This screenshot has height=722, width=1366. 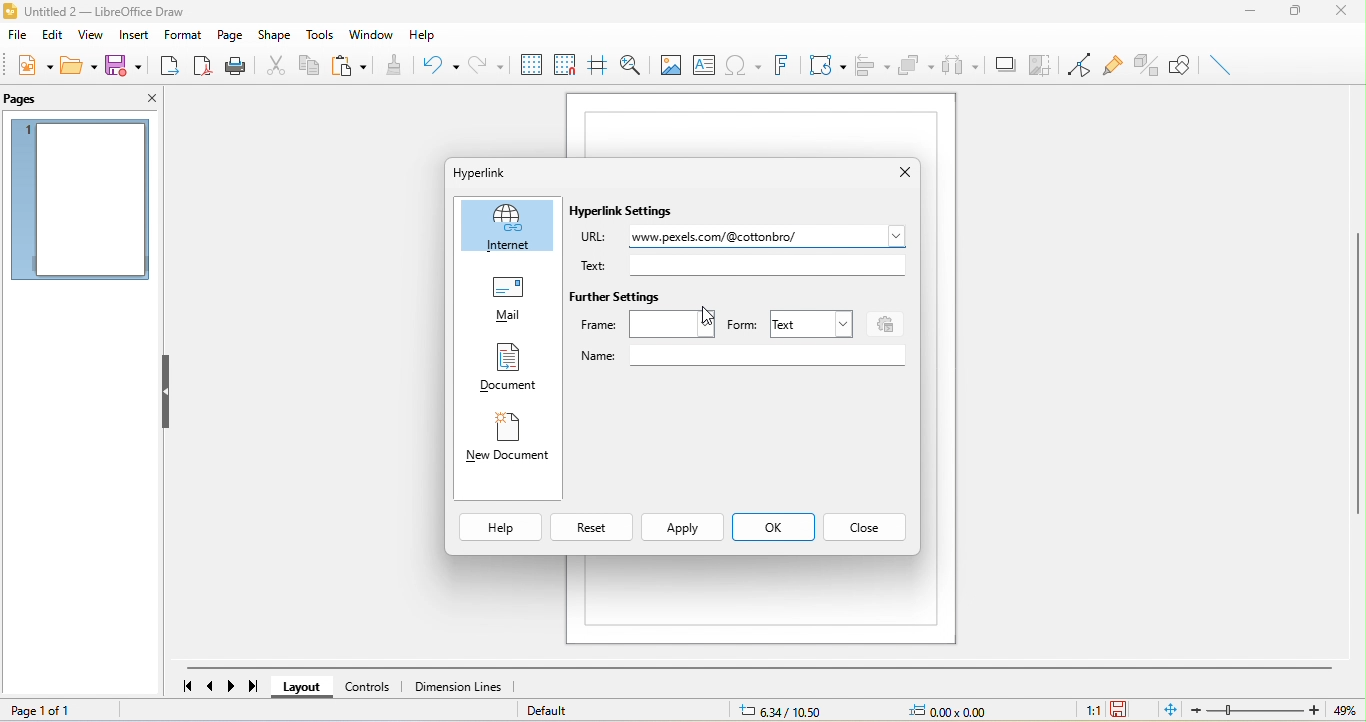 I want to click on controls, so click(x=373, y=688).